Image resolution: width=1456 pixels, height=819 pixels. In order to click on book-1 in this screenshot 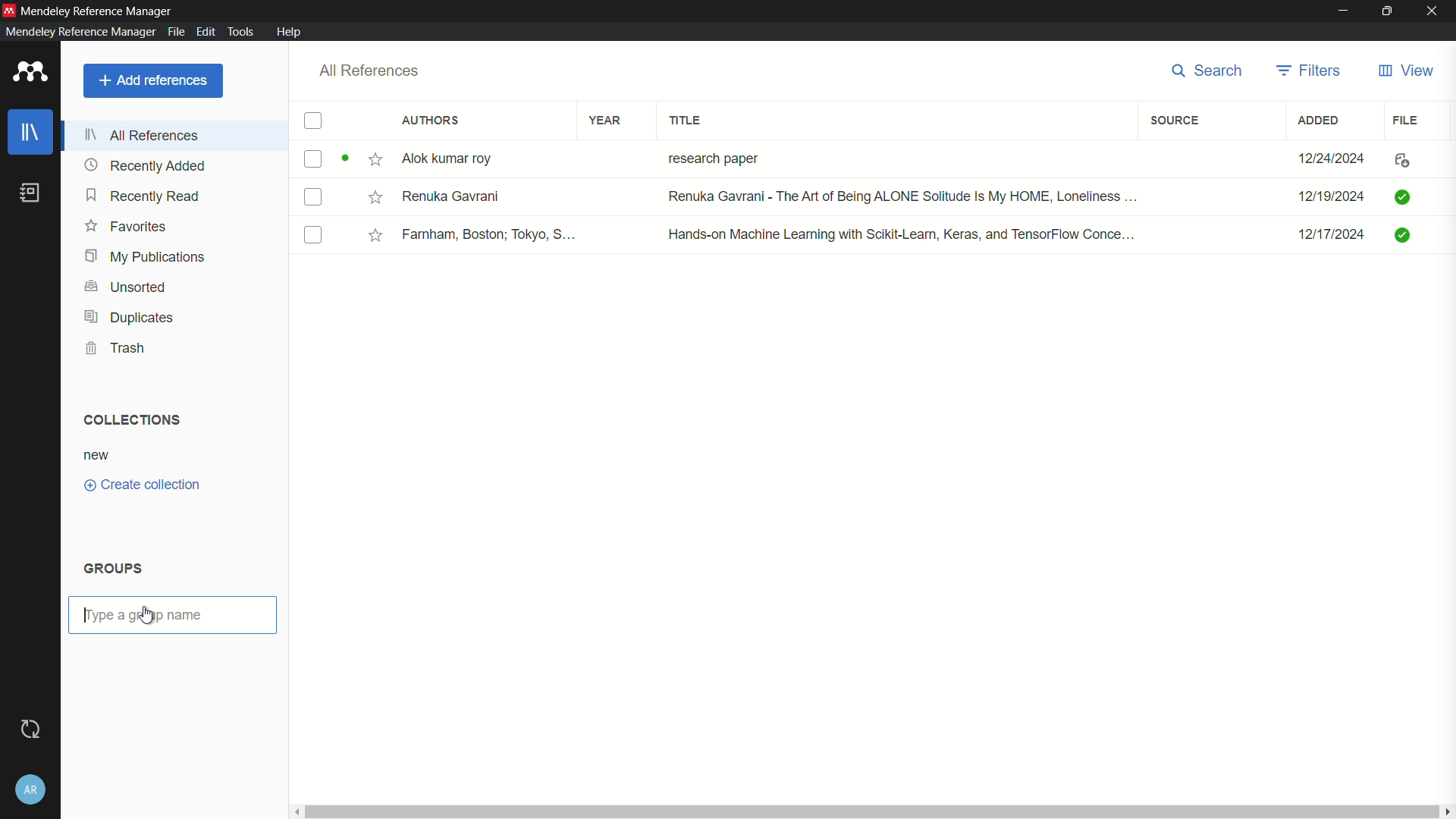, I will do `click(312, 158)`.